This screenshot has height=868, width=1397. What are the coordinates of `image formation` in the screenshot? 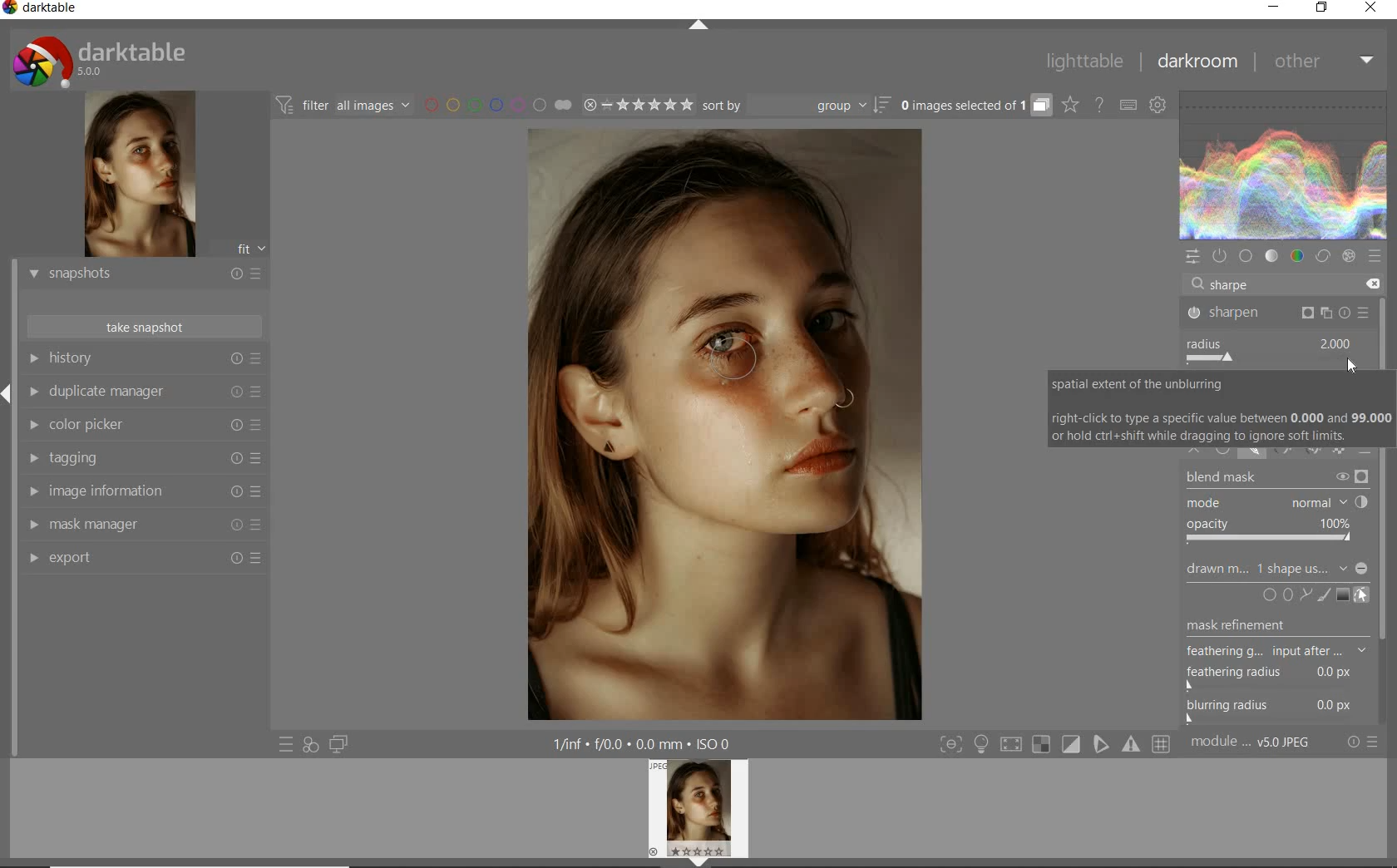 It's located at (141, 491).